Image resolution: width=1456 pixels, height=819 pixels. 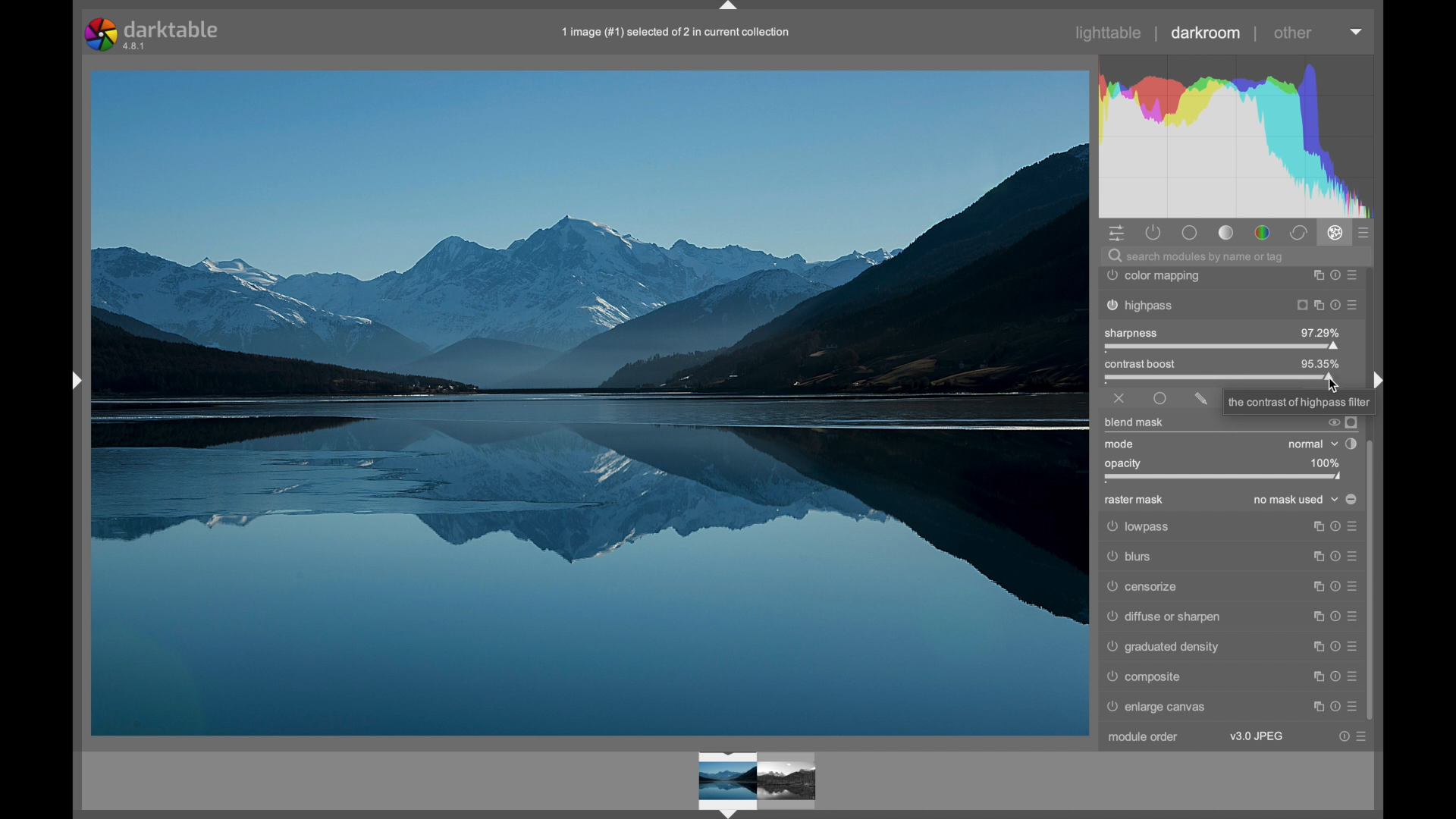 I want to click on lighttable, so click(x=1109, y=33).